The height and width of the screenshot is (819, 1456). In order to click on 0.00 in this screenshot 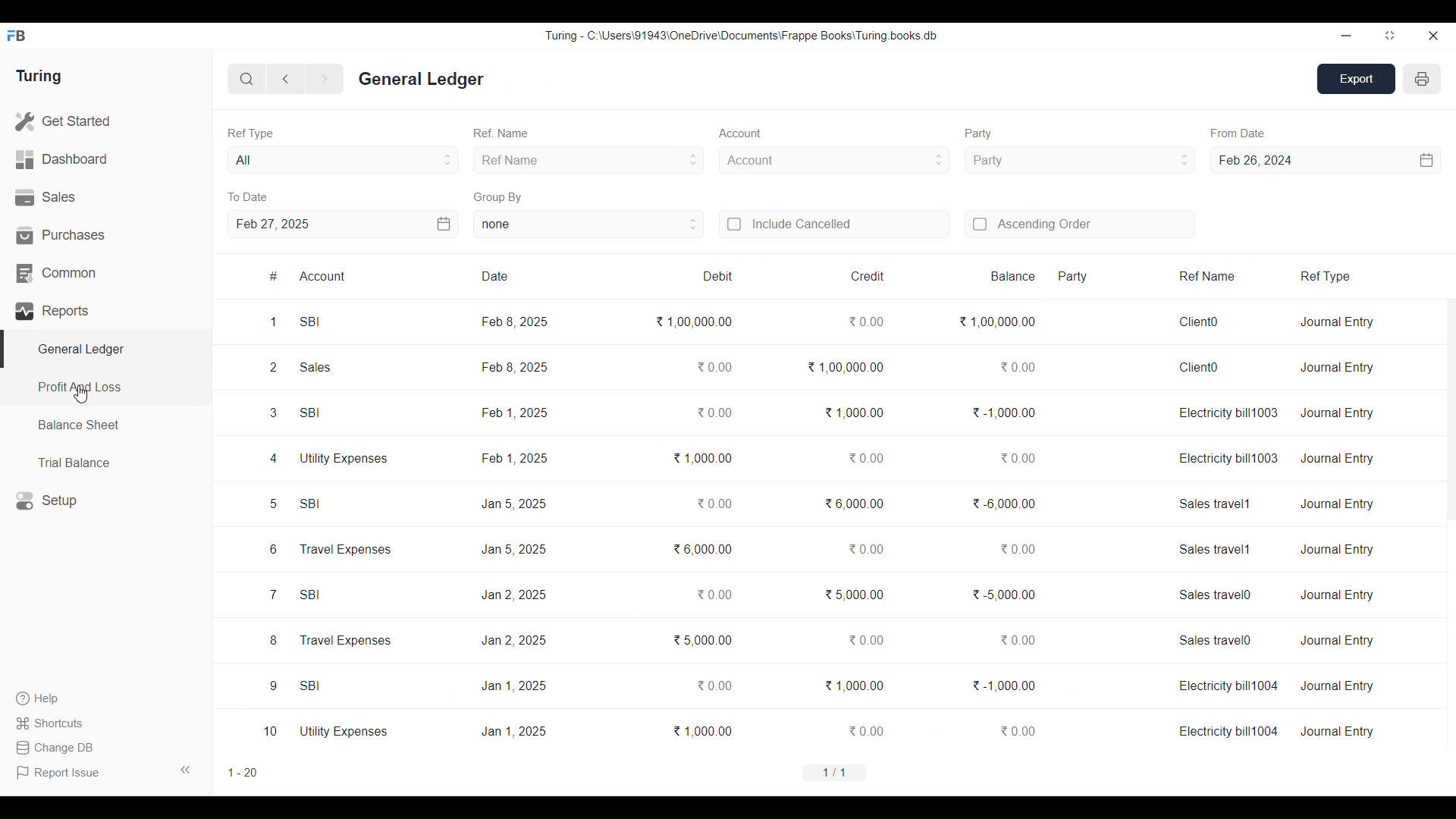, I will do `click(714, 685)`.